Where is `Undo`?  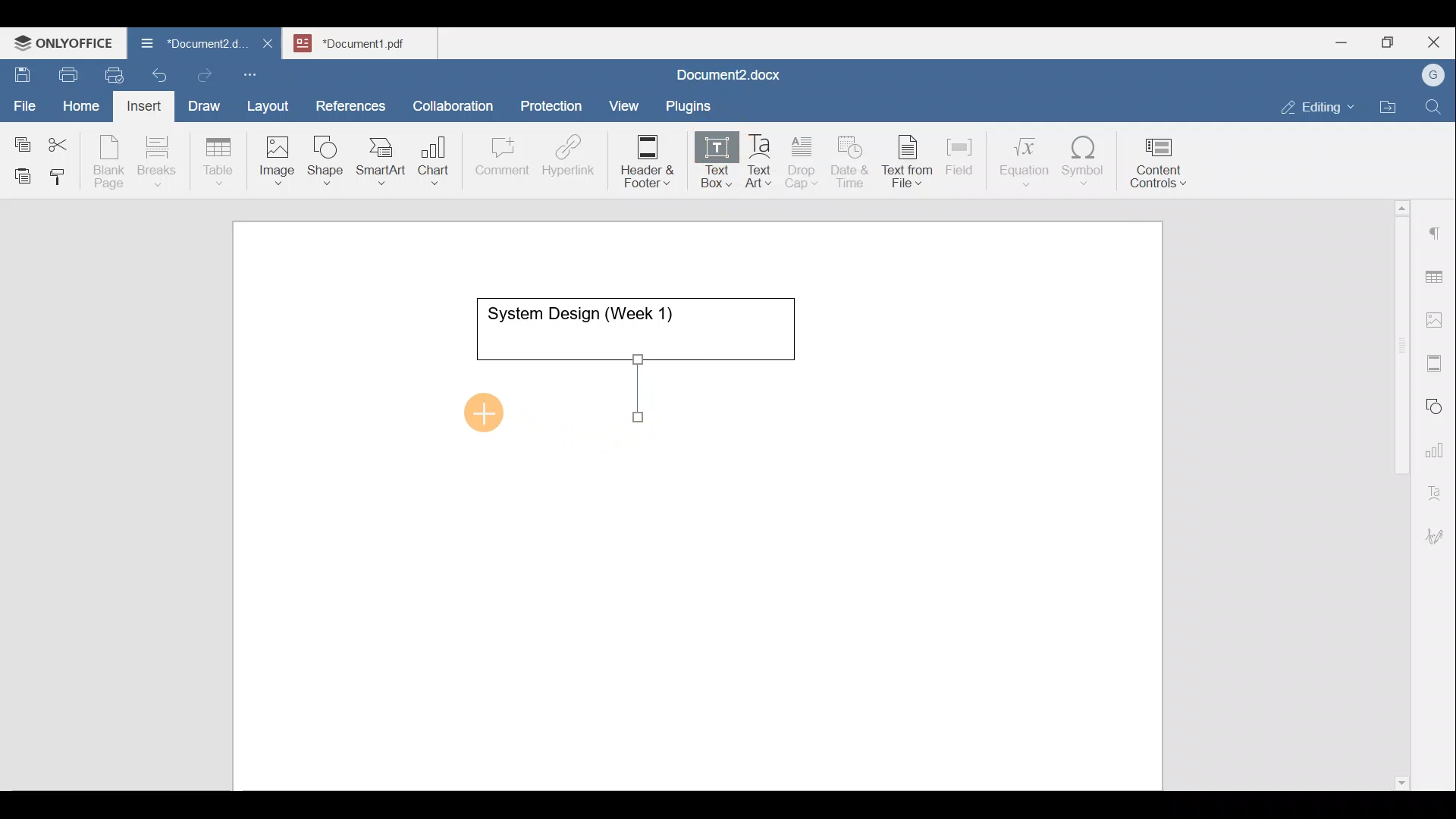
Undo is located at coordinates (156, 73).